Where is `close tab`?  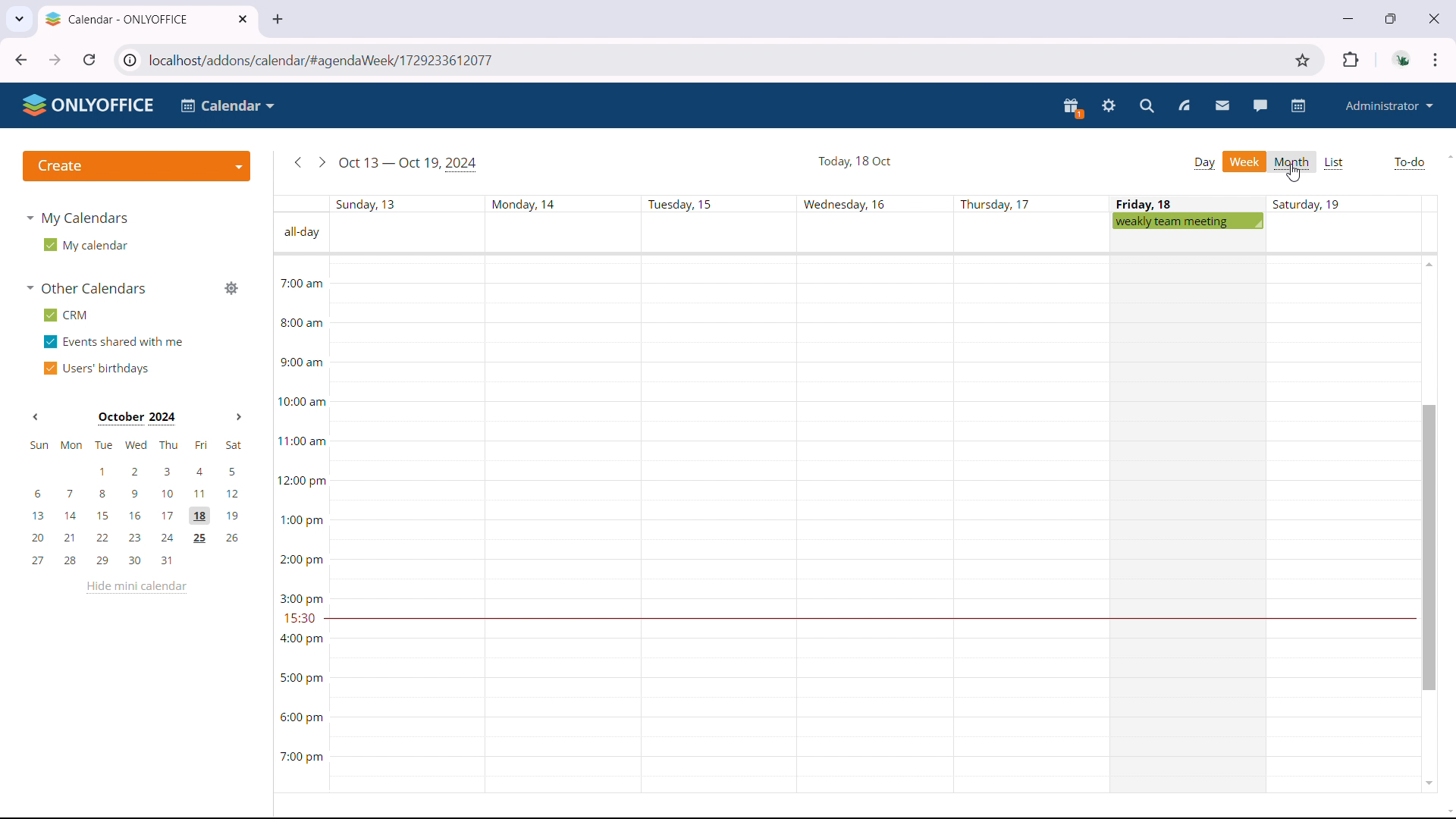 close tab is located at coordinates (243, 19).